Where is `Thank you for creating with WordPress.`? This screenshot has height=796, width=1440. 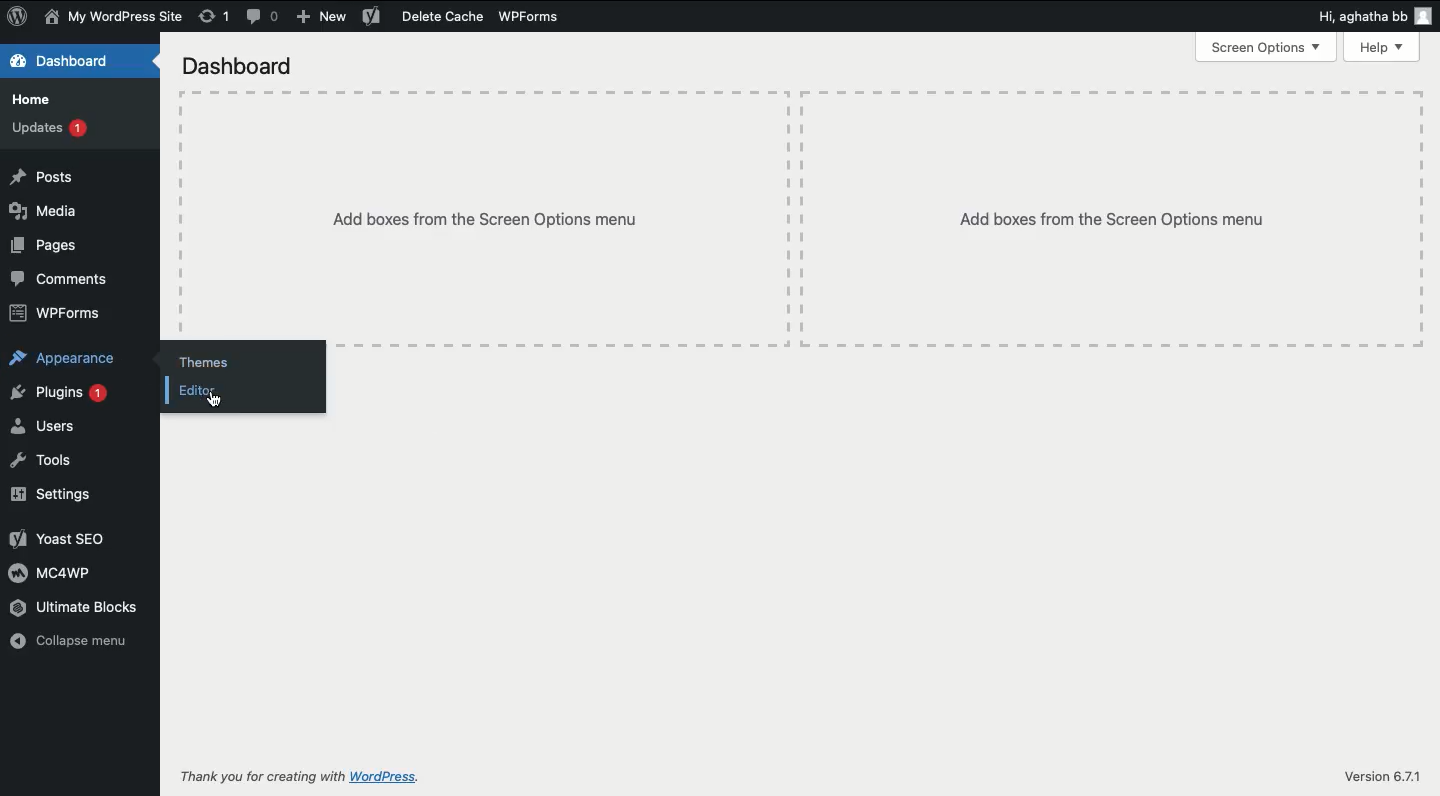
Thank you for creating with WordPress. is located at coordinates (302, 776).